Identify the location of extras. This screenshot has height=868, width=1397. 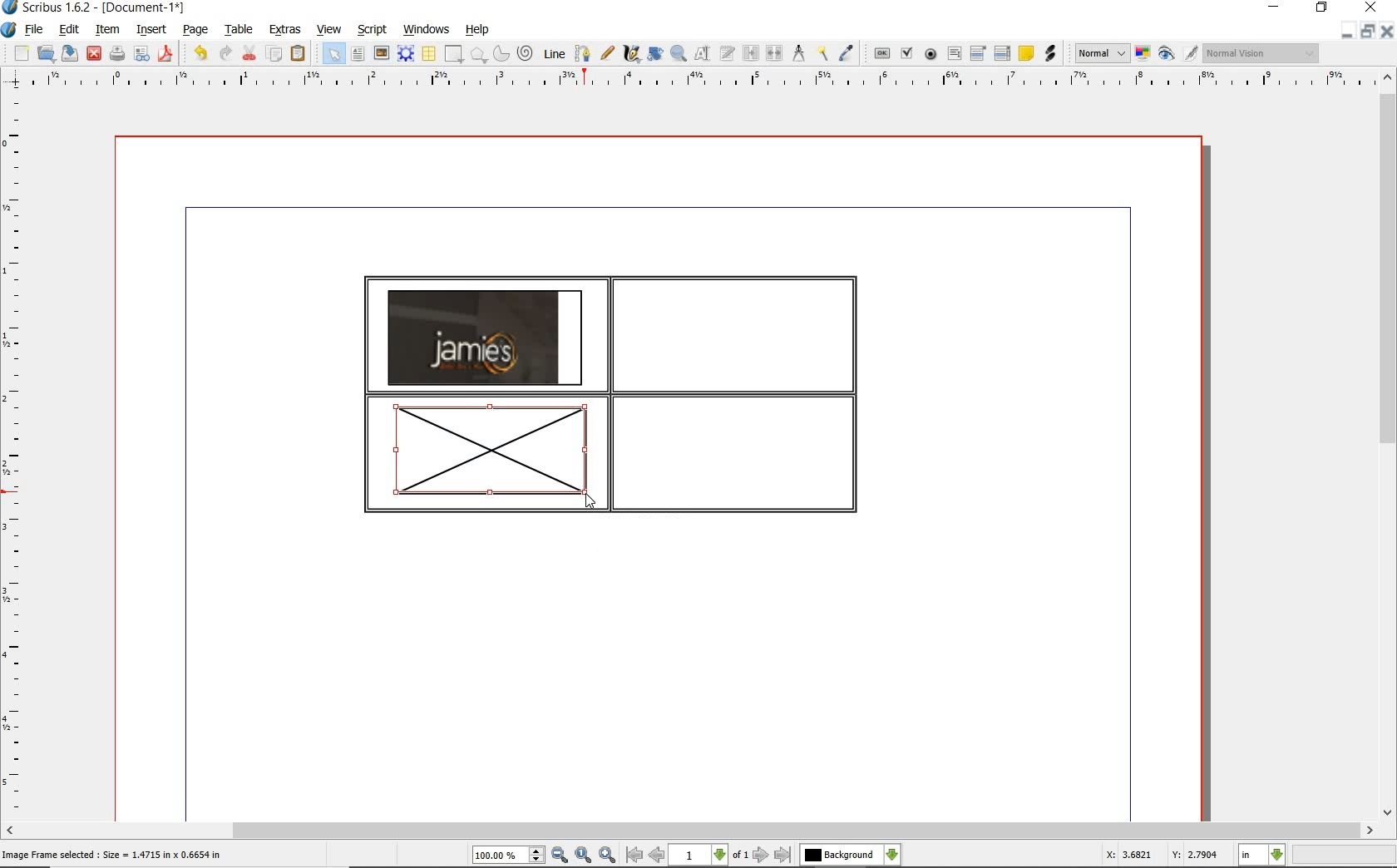
(285, 30).